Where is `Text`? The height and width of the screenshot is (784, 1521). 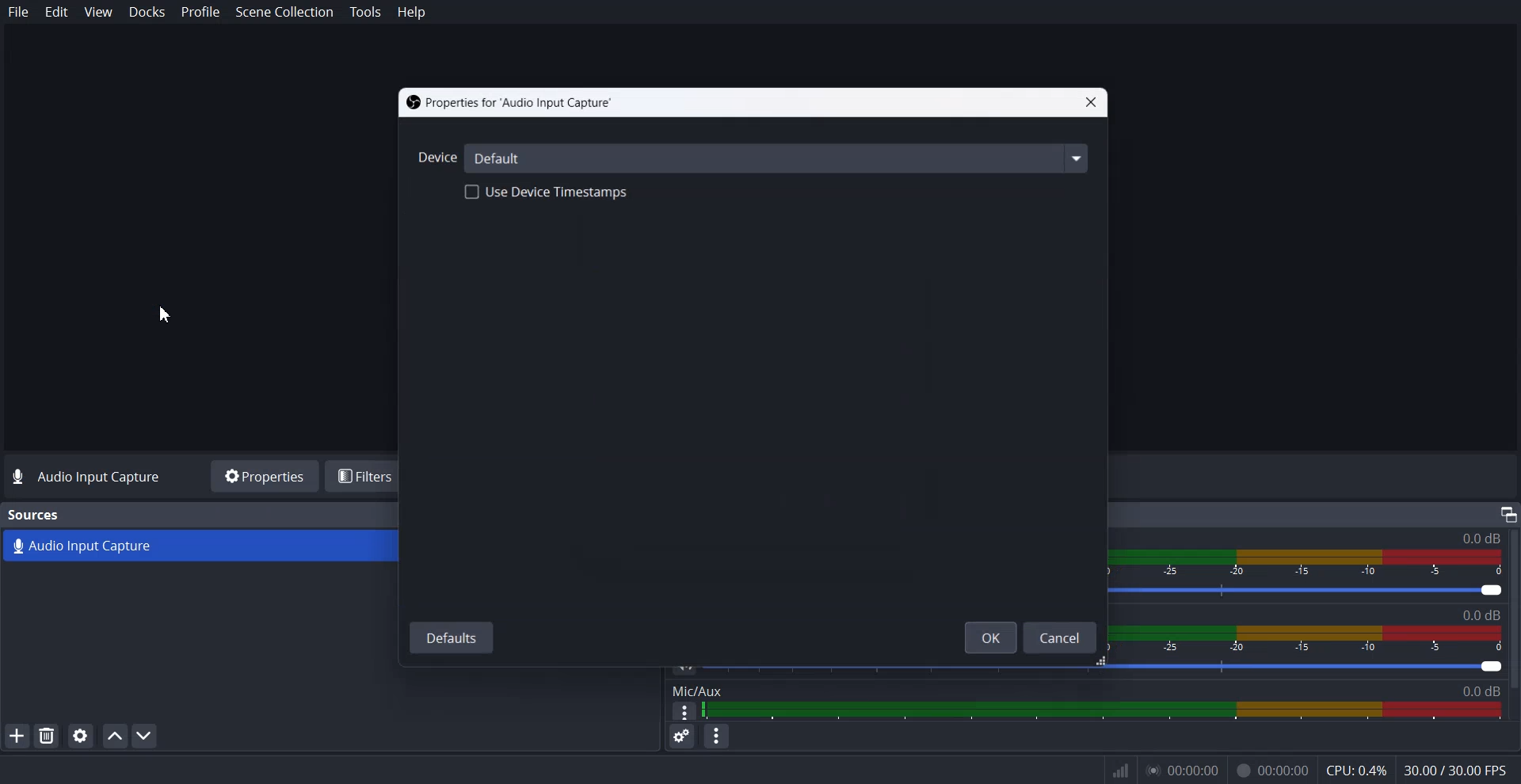 Text is located at coordinates (511, 102).